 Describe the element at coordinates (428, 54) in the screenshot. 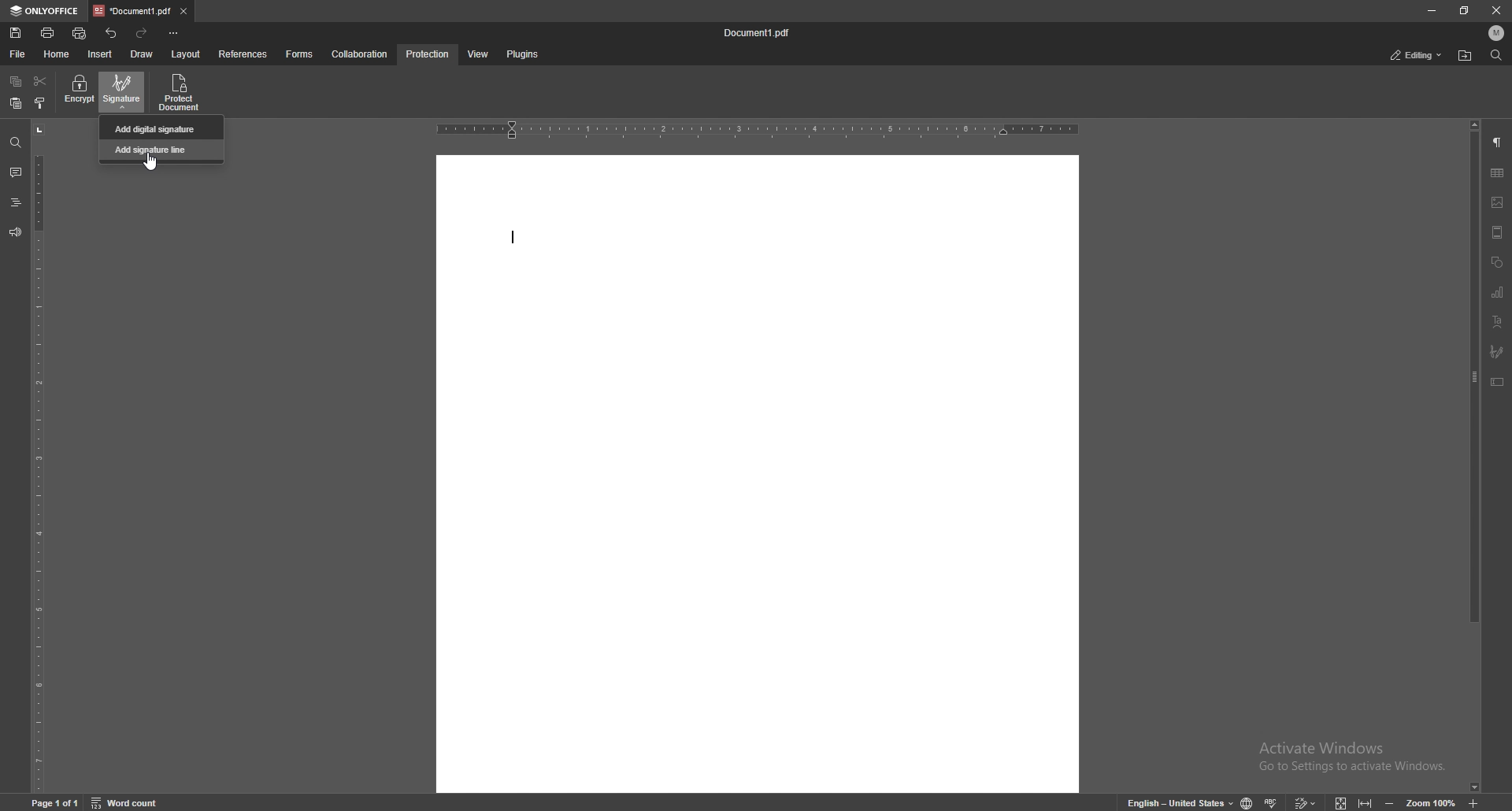

I see `protection` at that location.